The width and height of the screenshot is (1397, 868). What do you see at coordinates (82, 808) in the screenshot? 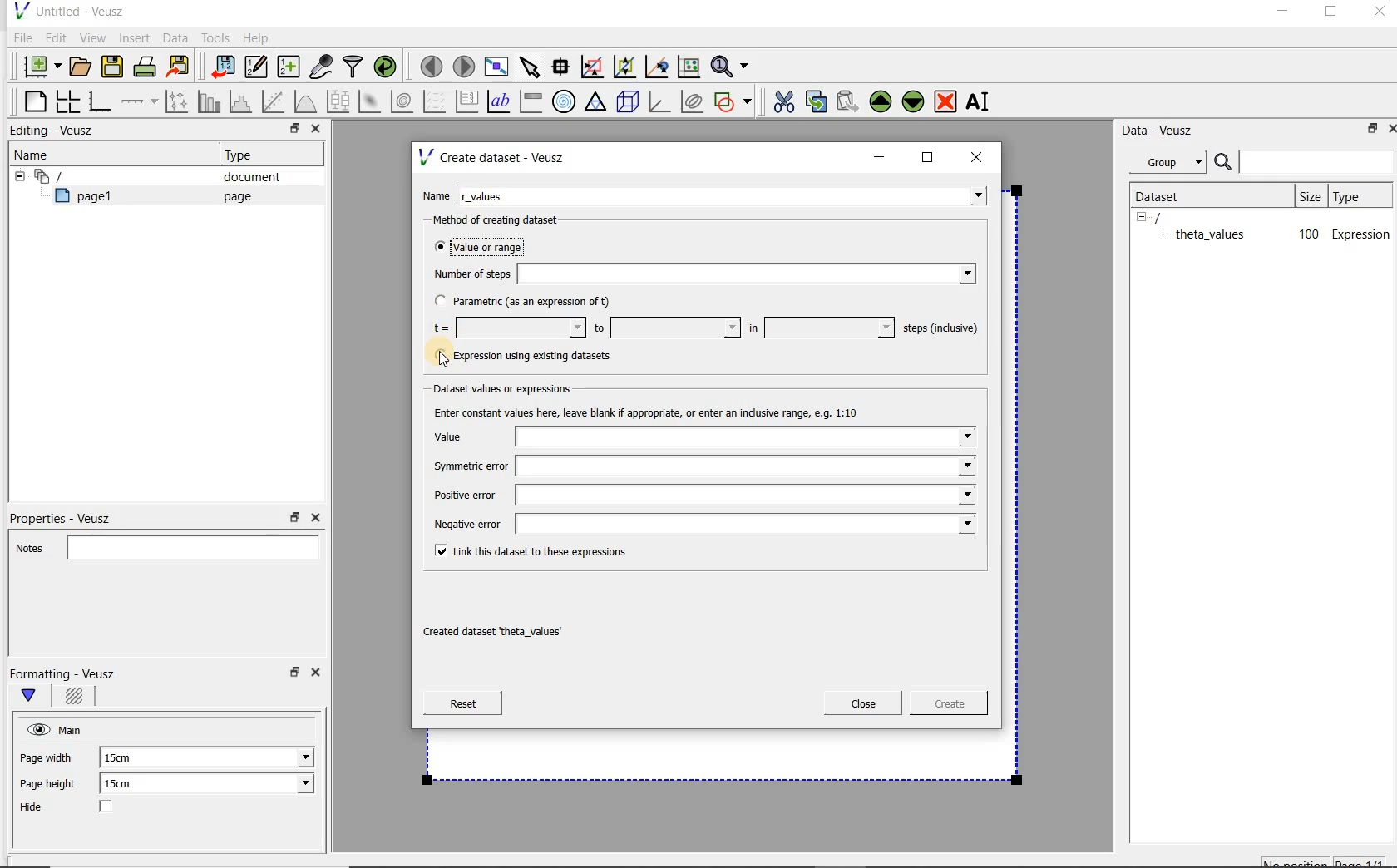
I see `Hide` at bounding box center [82, 808].